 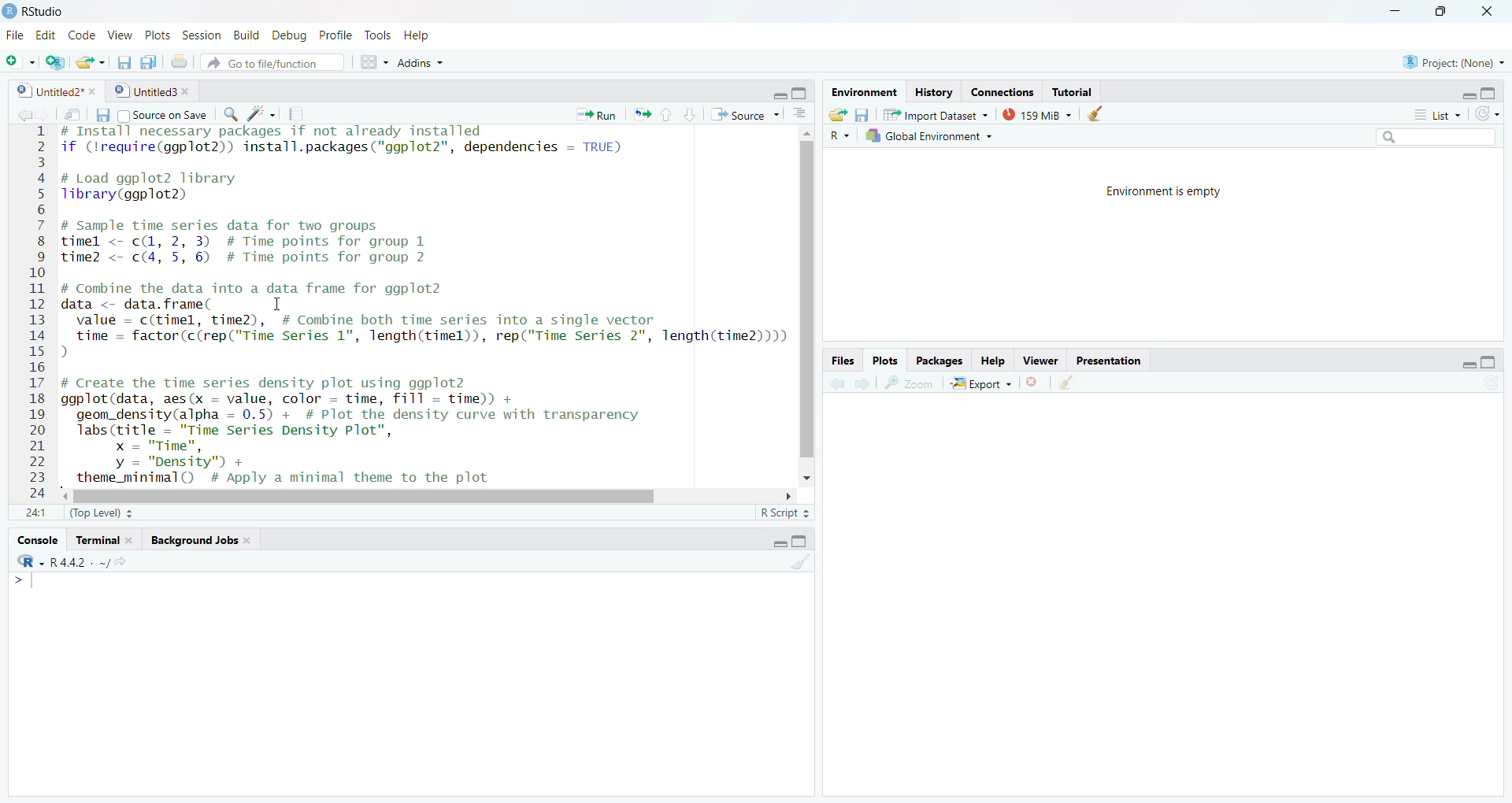 I want to click on Restore Down, so click(x=1440, y=12).